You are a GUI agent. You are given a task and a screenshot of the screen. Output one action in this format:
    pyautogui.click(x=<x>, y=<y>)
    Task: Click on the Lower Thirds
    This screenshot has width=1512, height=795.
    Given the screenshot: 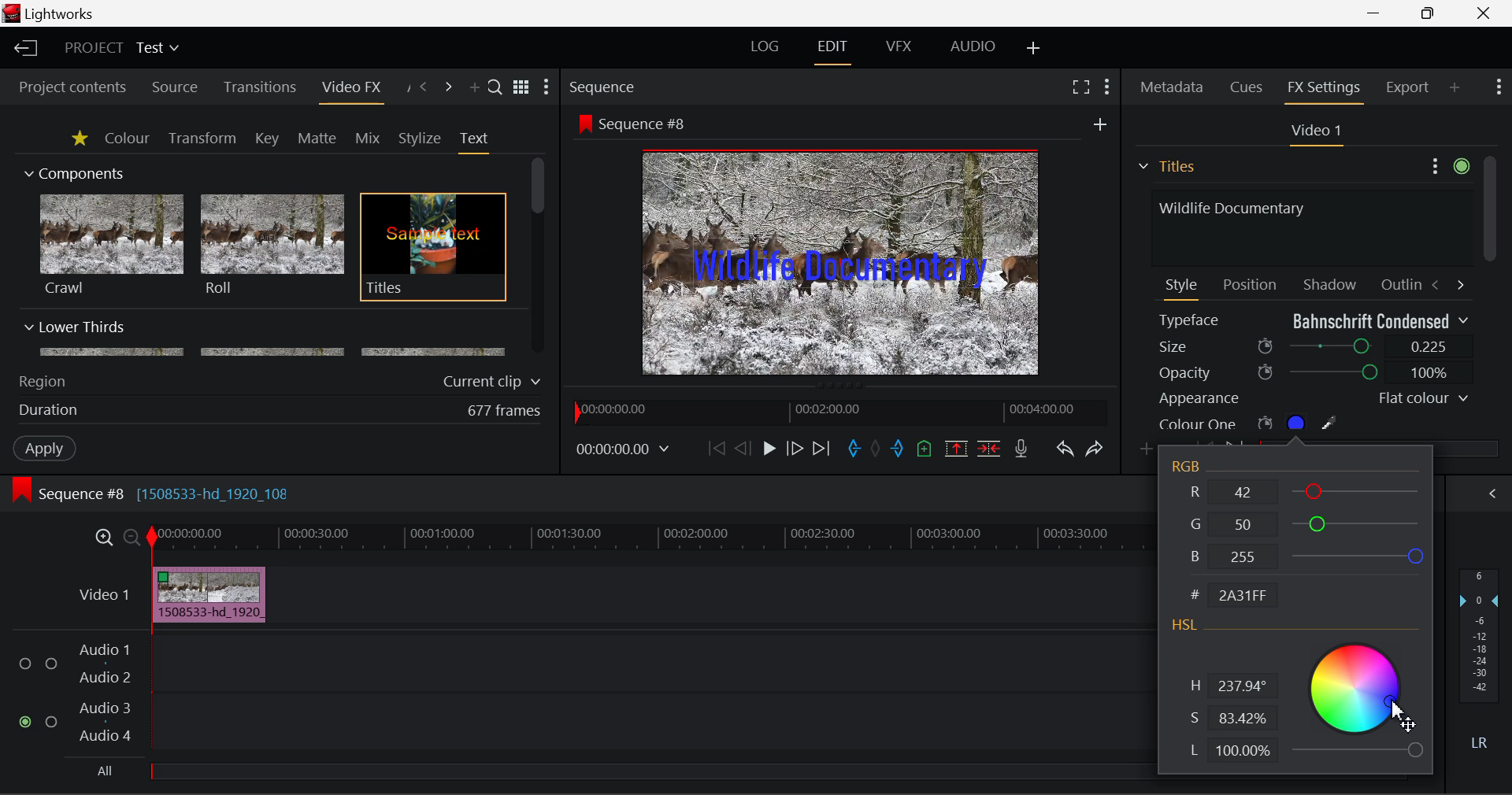 What is the action you would take?
    pyautogui.click(x=266, y=338)
    